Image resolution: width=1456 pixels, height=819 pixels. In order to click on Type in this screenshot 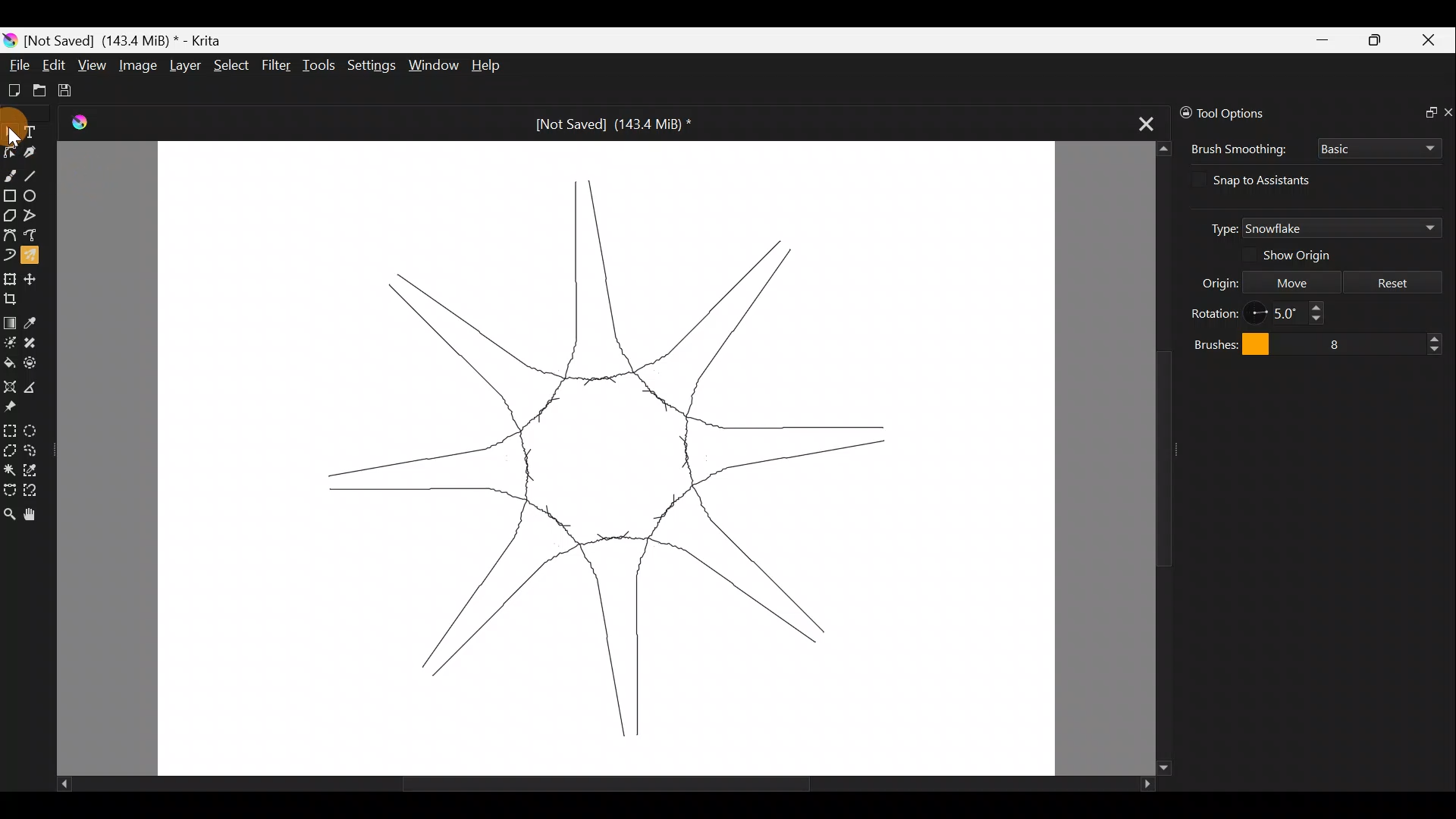, I will do `click(1216, 227)`.